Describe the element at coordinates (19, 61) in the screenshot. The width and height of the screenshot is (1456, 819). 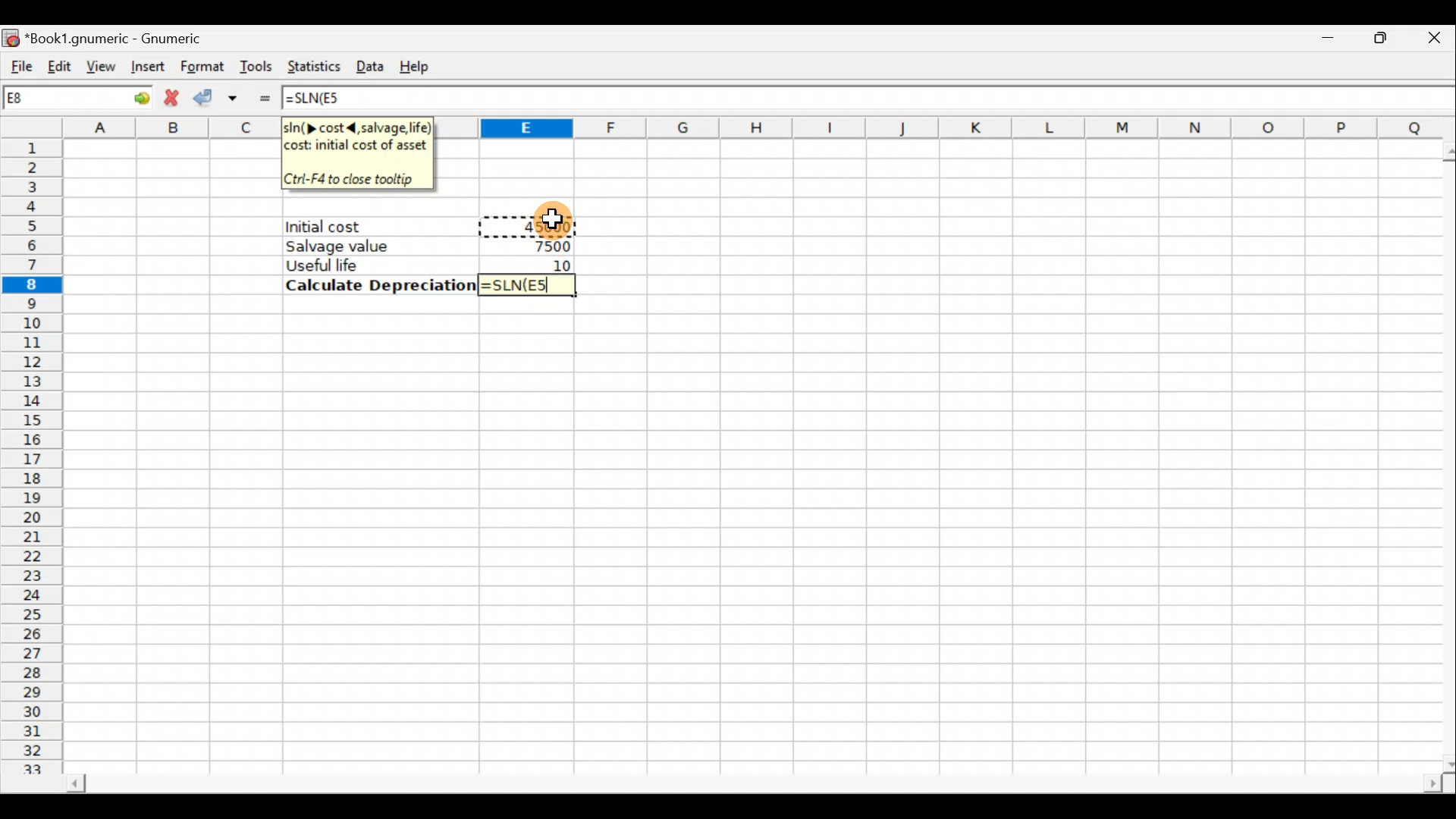
I see `File` at that location.